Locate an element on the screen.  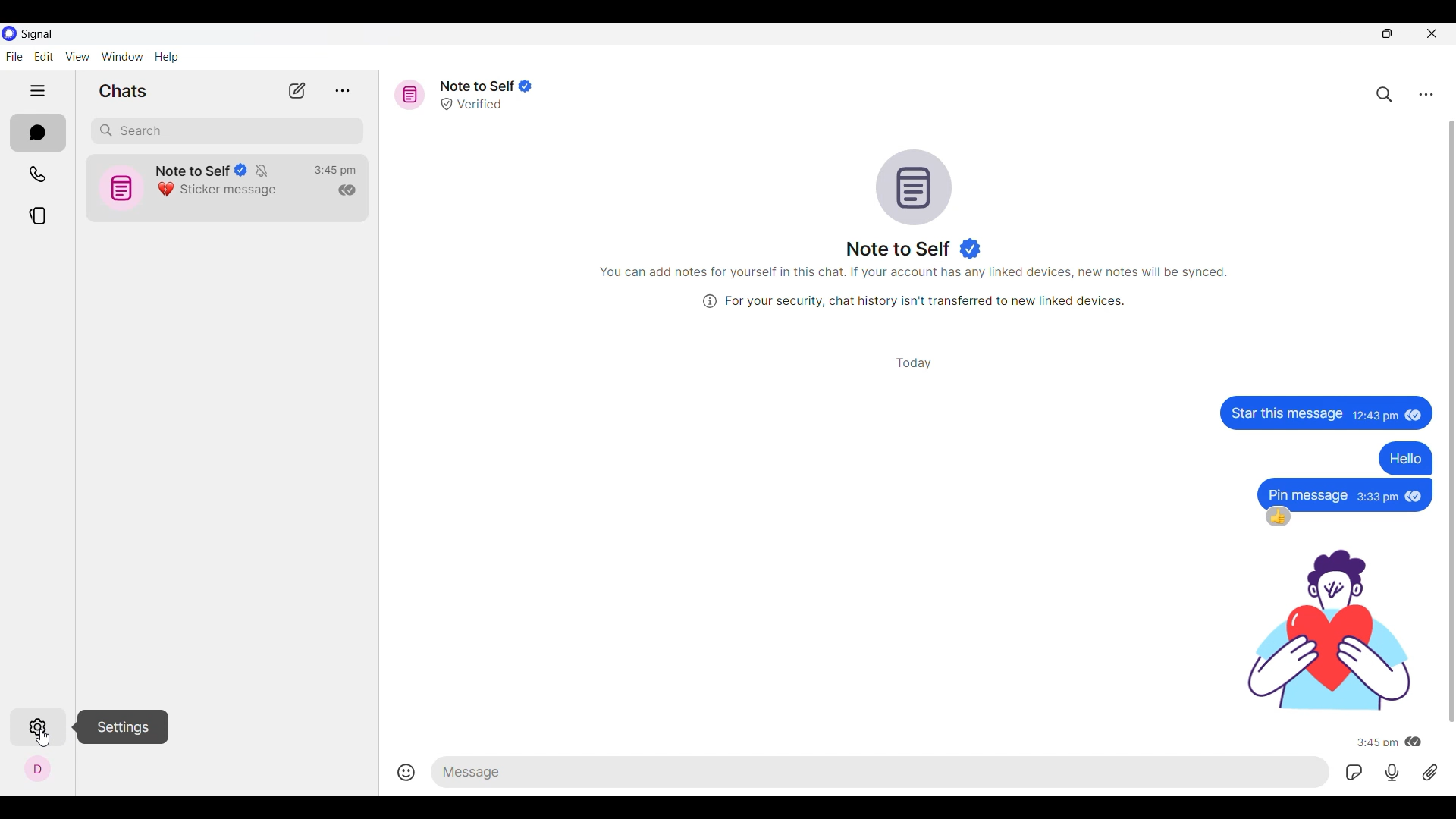
Indicates chat is verified is located at coordinates (971, 249).